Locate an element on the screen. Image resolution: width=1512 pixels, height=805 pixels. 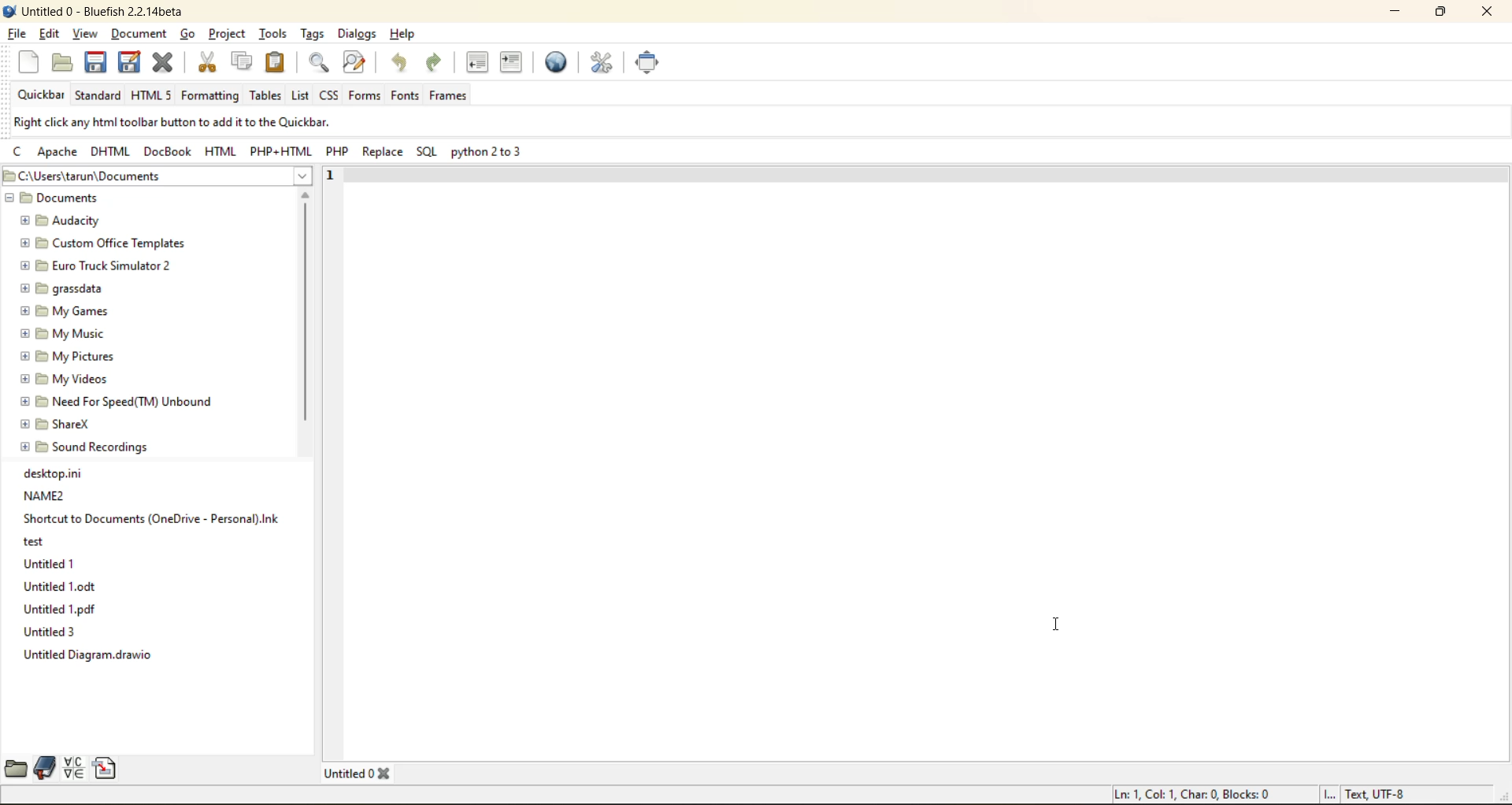
docbook is located at coordinates (166, 152).